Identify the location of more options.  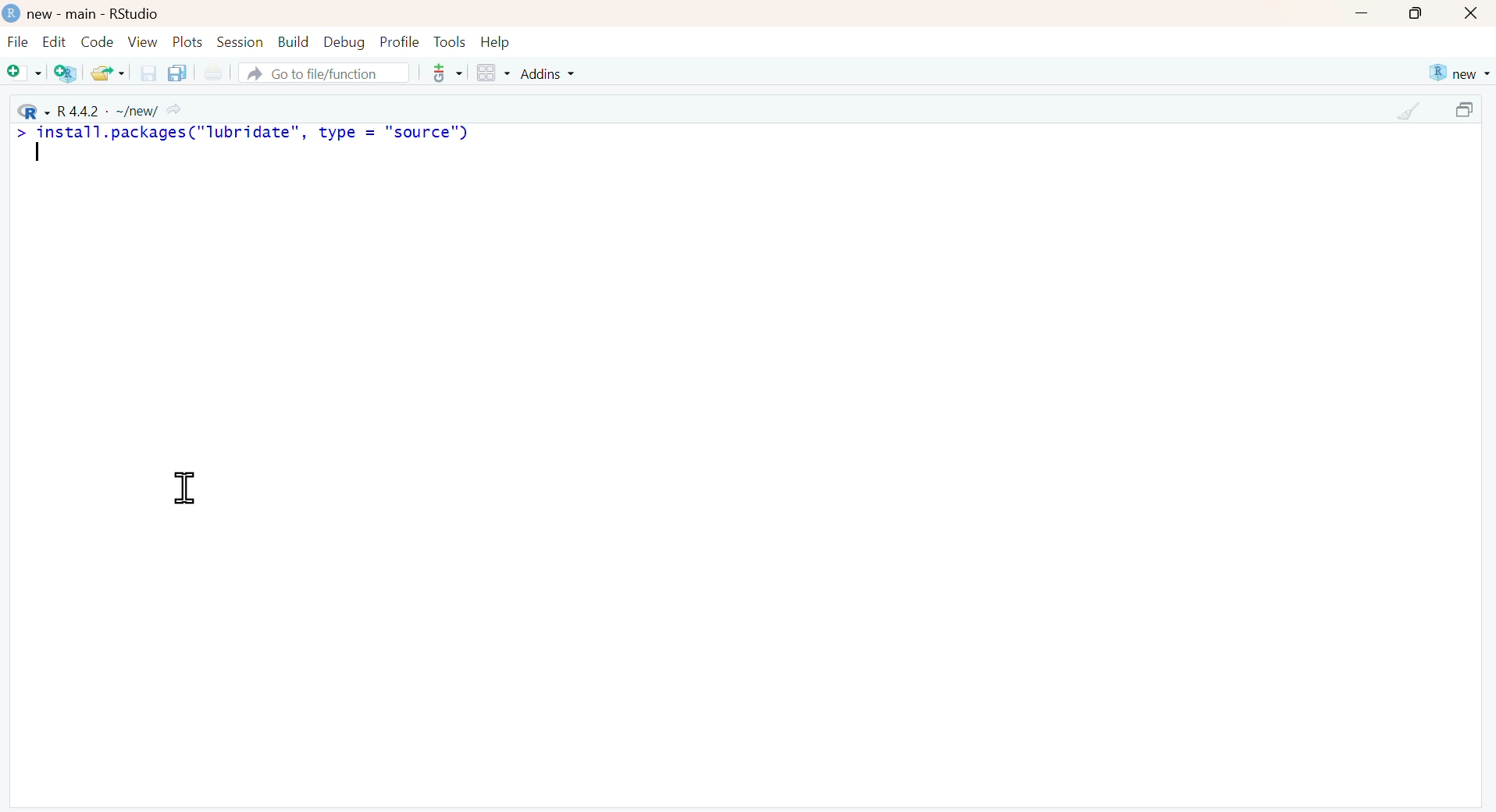
(442, 73).